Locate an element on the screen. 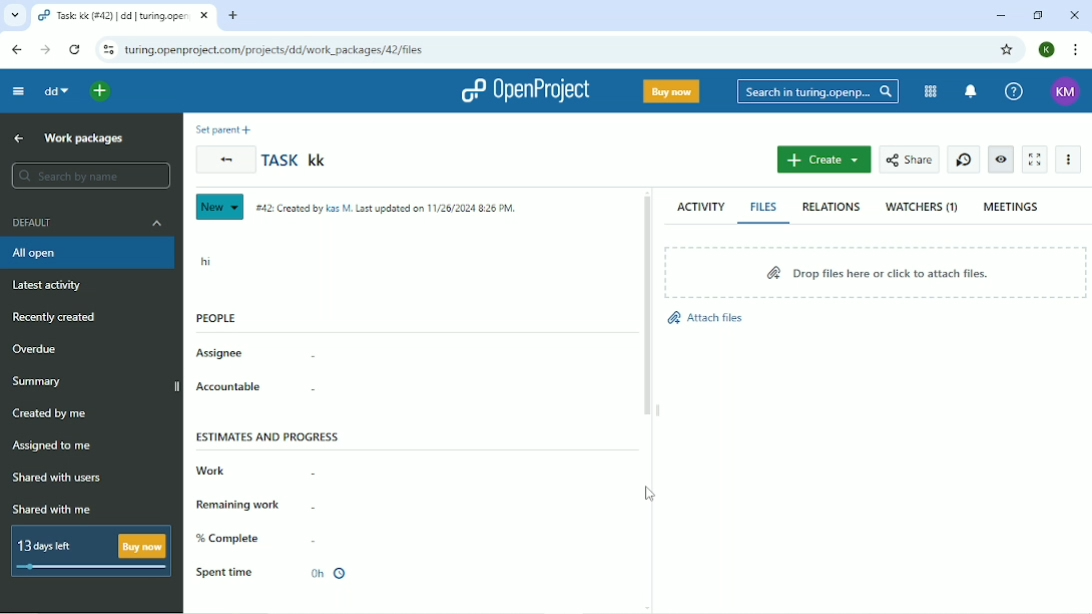 The height and width of the screenshot is (614, 1092). Unwatch work package is located at coordinates (1000, 159).